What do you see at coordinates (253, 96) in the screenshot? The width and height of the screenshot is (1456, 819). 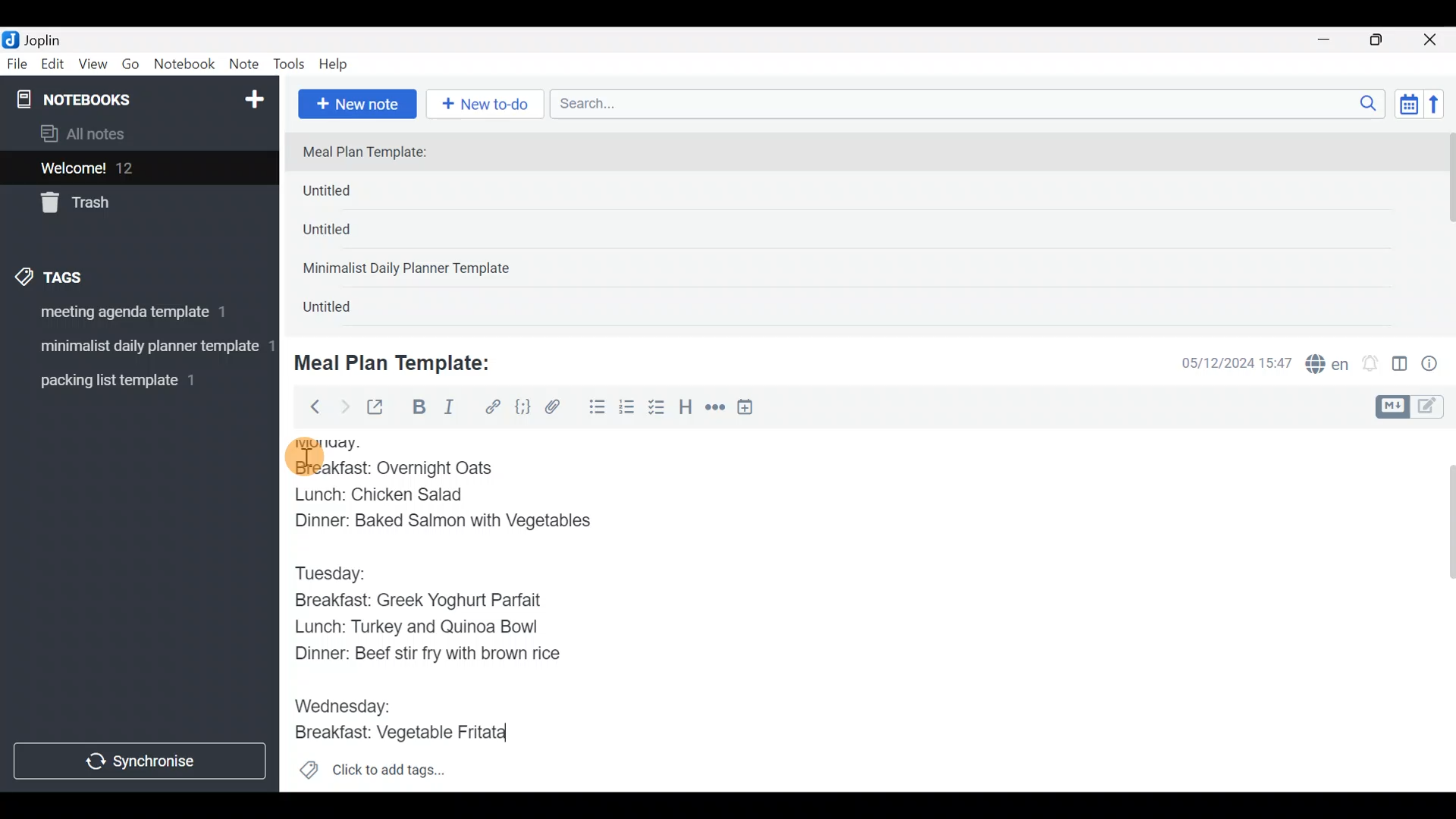 I see `New` at bounding box center [253, 96].